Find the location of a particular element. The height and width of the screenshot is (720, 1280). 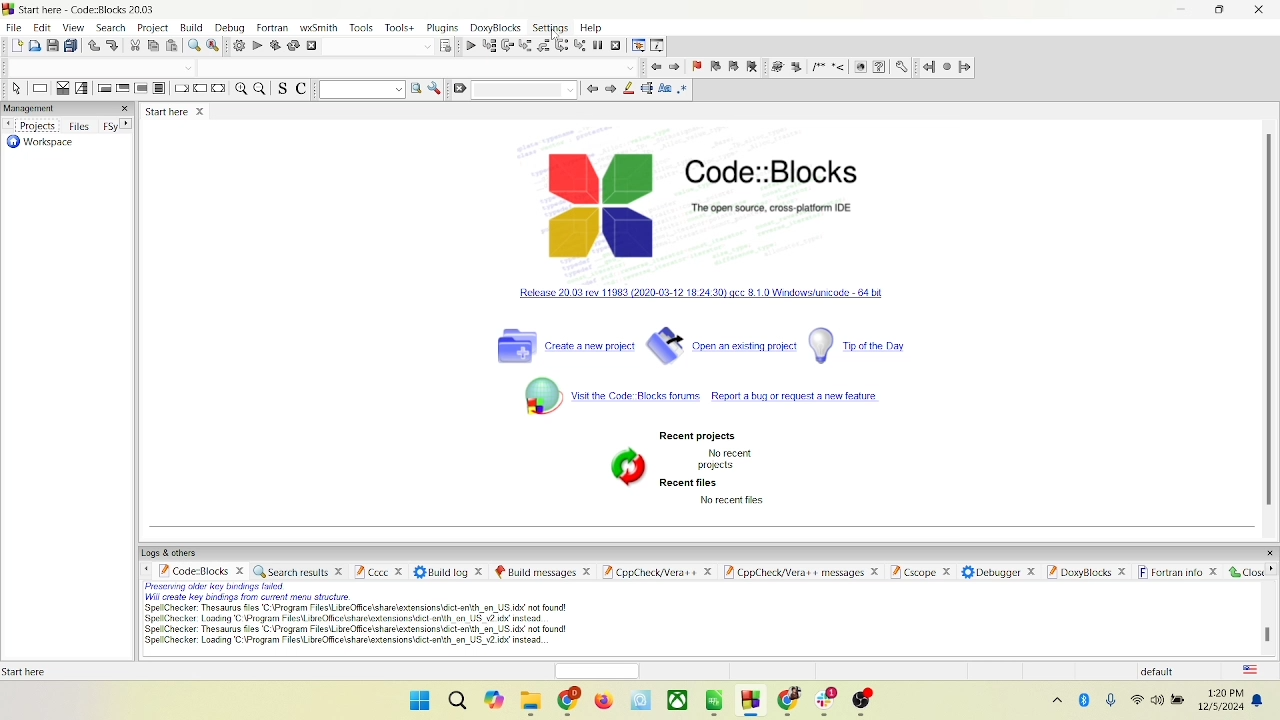

edit is located at coordinates (42, 26).